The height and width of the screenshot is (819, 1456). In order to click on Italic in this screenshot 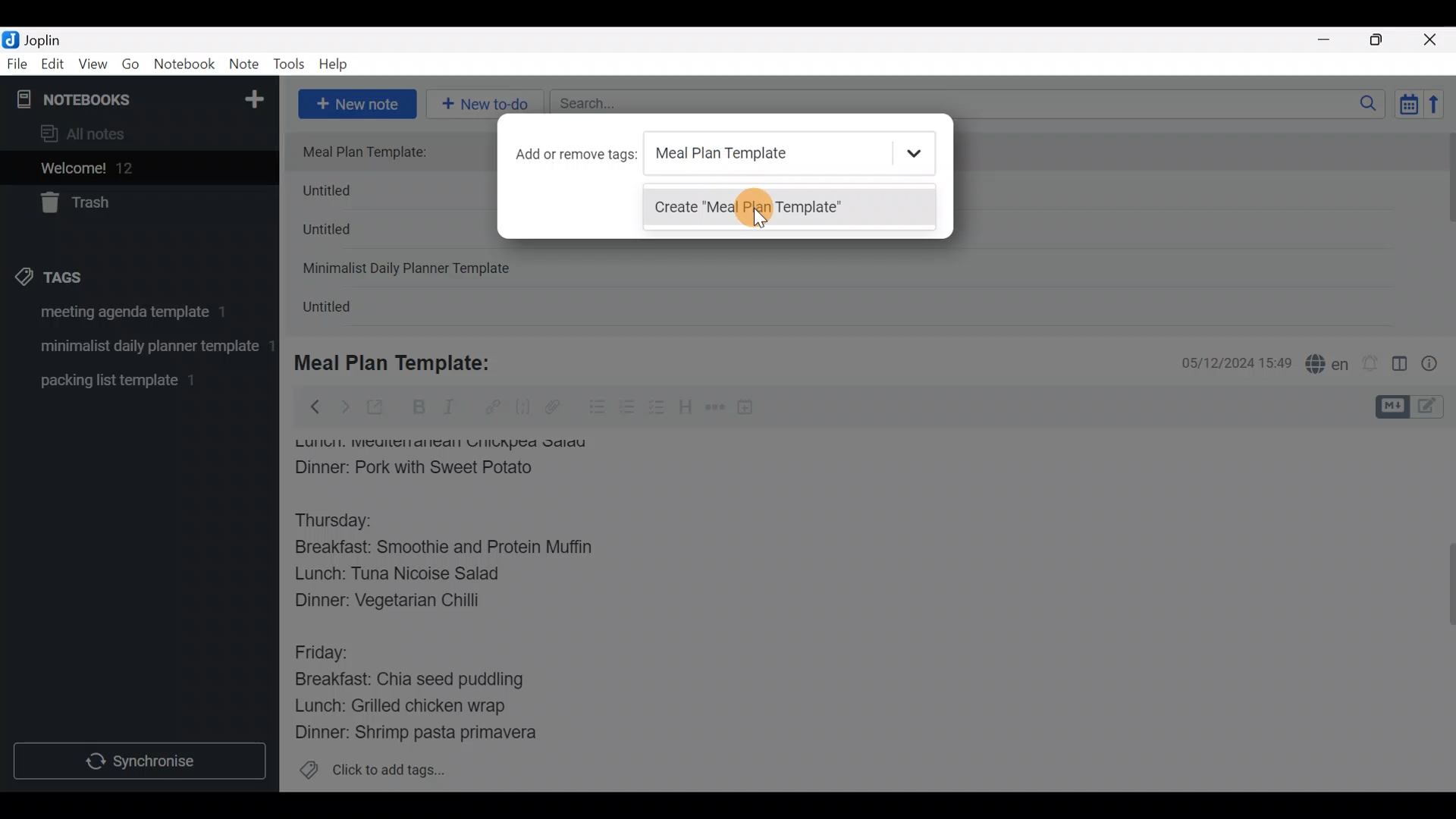, I will do `click(447, 410)`.